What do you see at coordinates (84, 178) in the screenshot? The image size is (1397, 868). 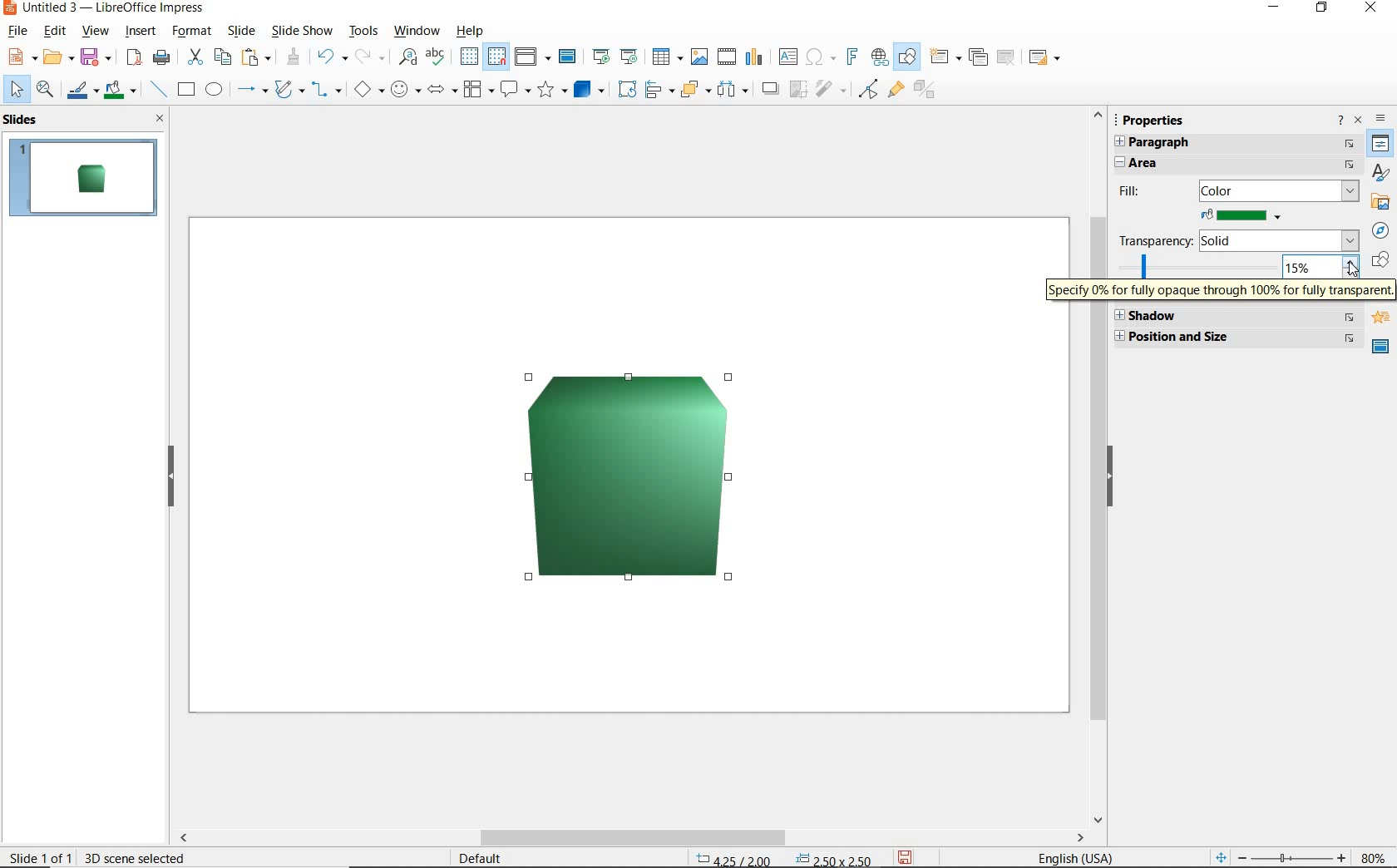 I see `SLIDE1` at bounding box center [84, 178].